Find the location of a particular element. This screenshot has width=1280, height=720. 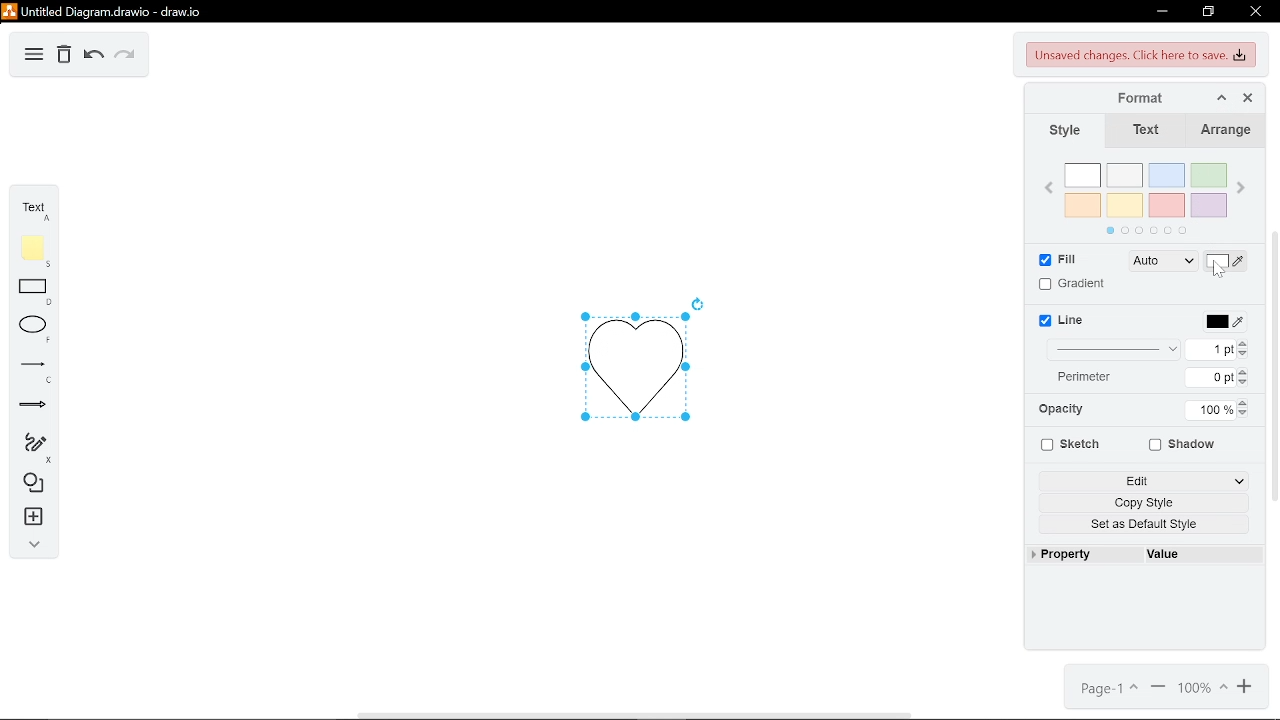

sketch is located at coordinates (1068, 444).